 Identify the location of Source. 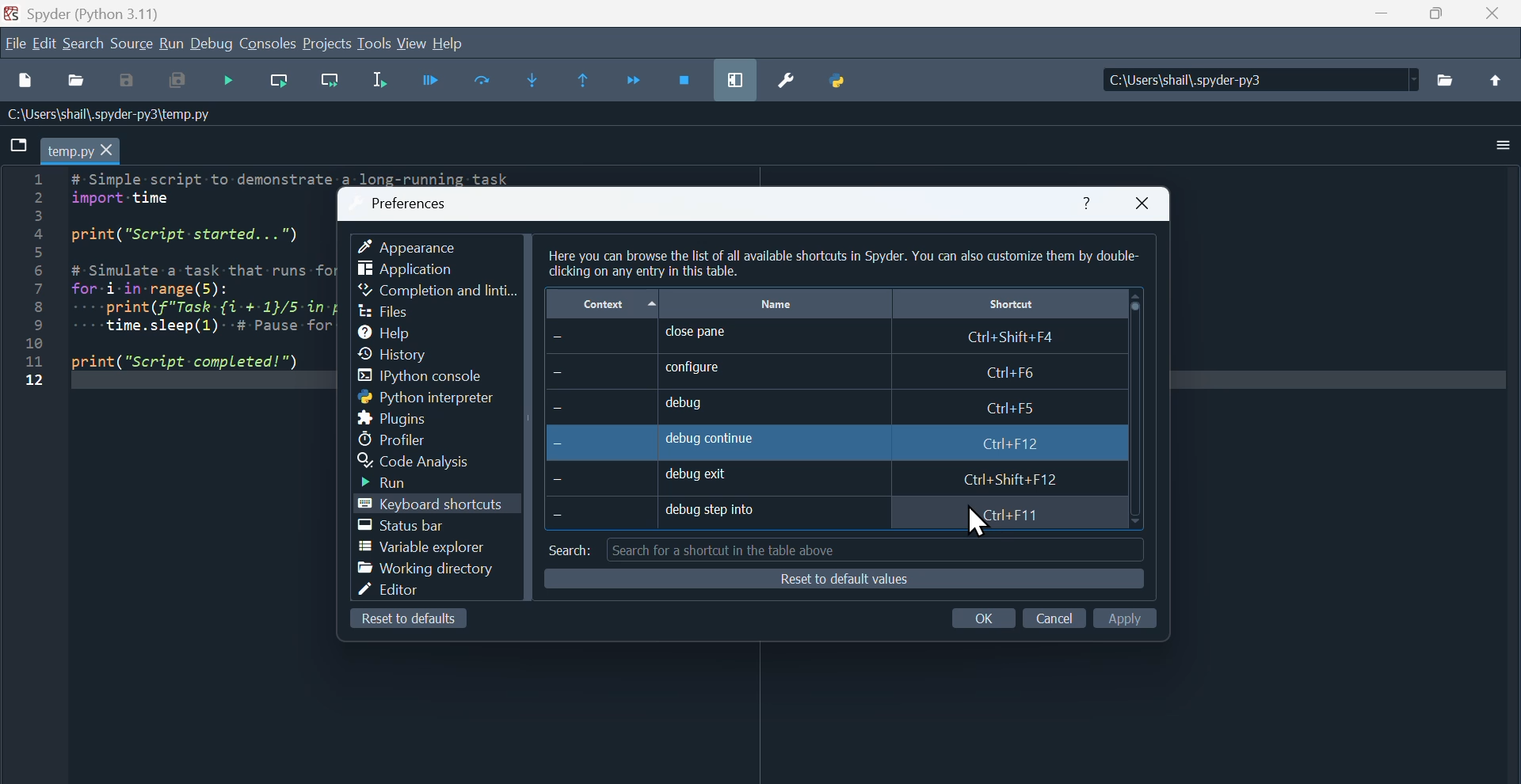
(132, 45).